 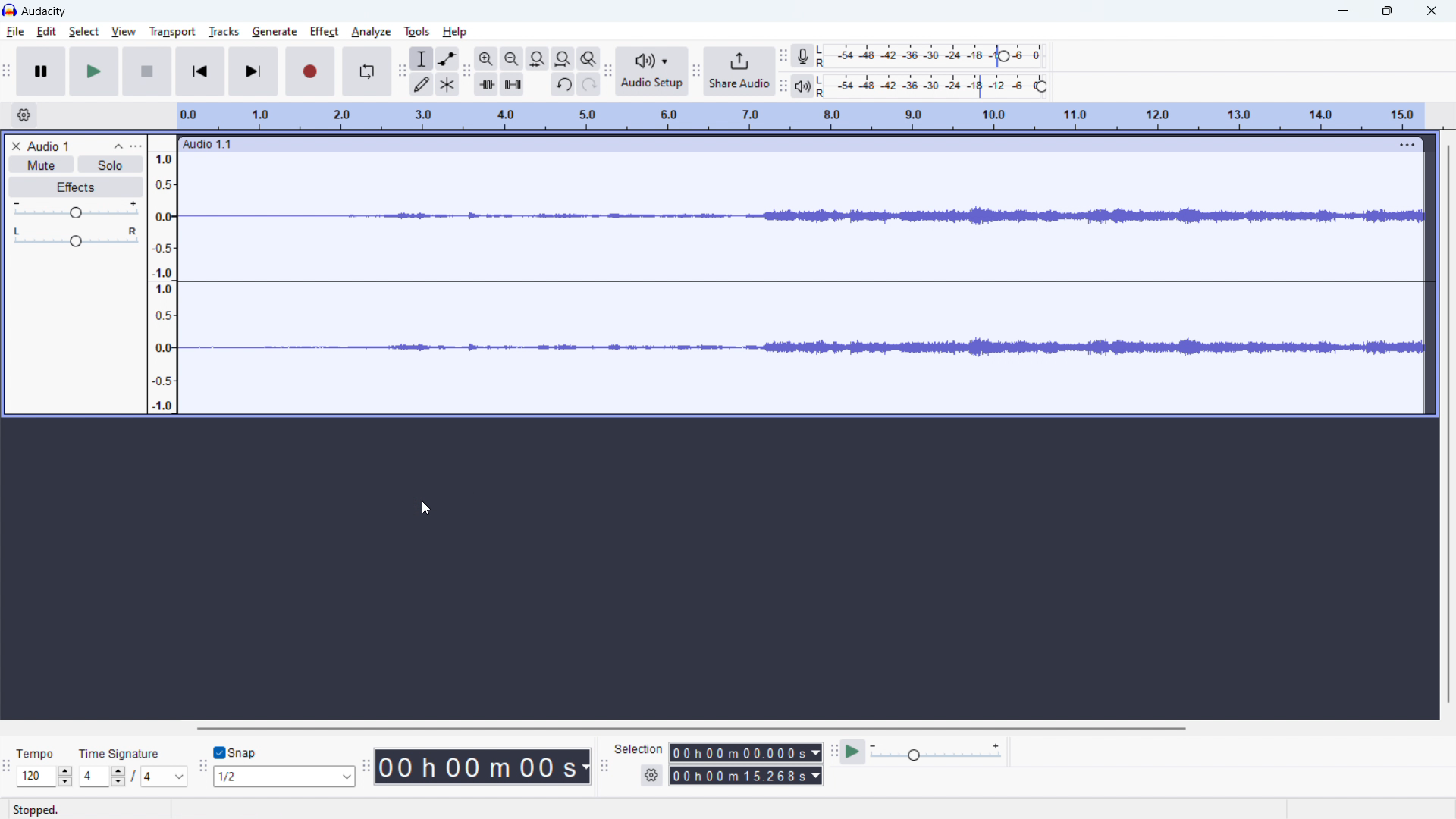 What do you see at coordinates (783, 55) in the screenshot?
I see `recording meter toolbar` at bounding box center [783, 55].